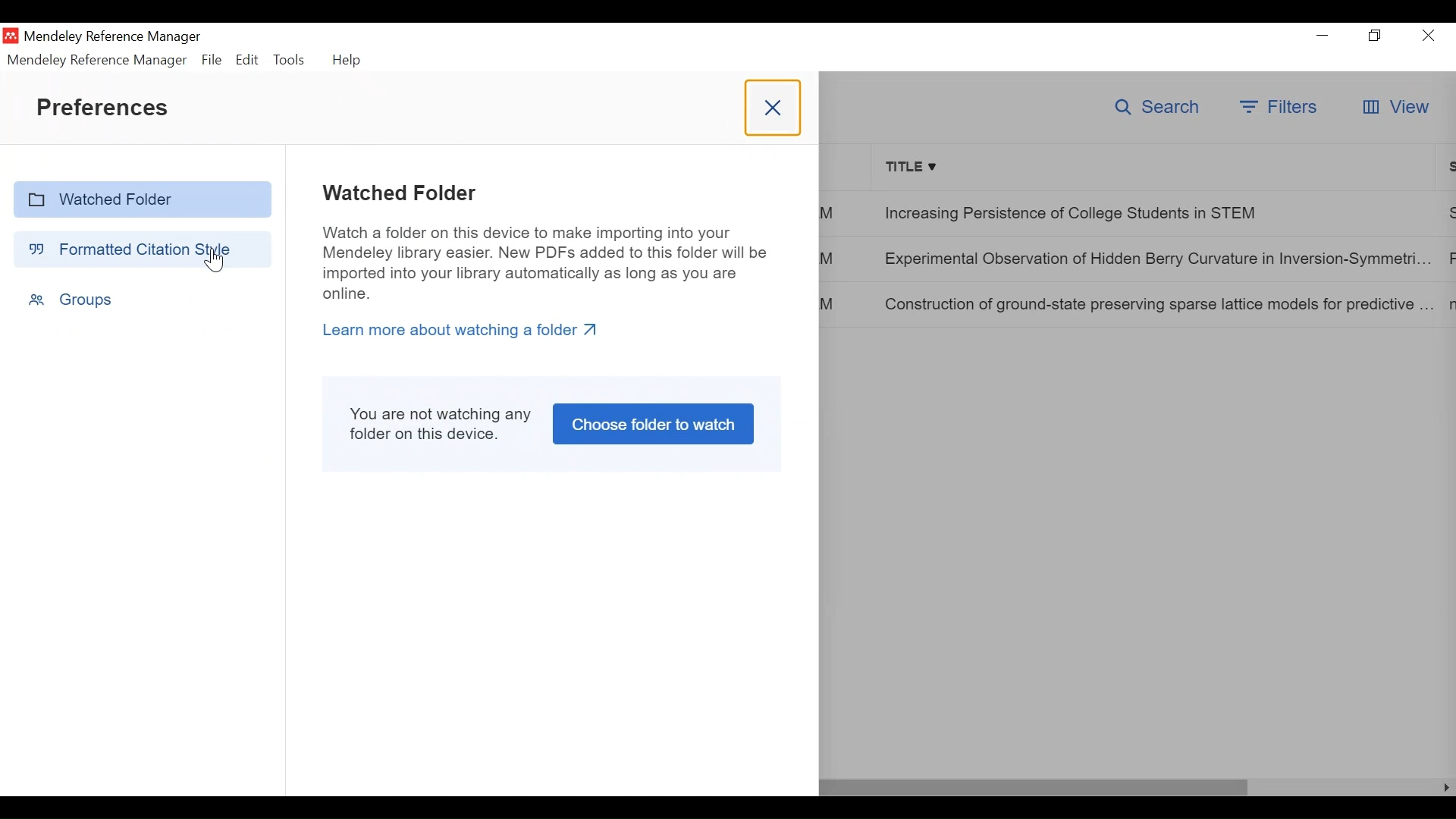 Image resolution: width=1456 pixels, height=819 pixels. What do you see at coordinates (71, 299) in the screenshot?
I see `Groups` at bounding box center [71, 299].